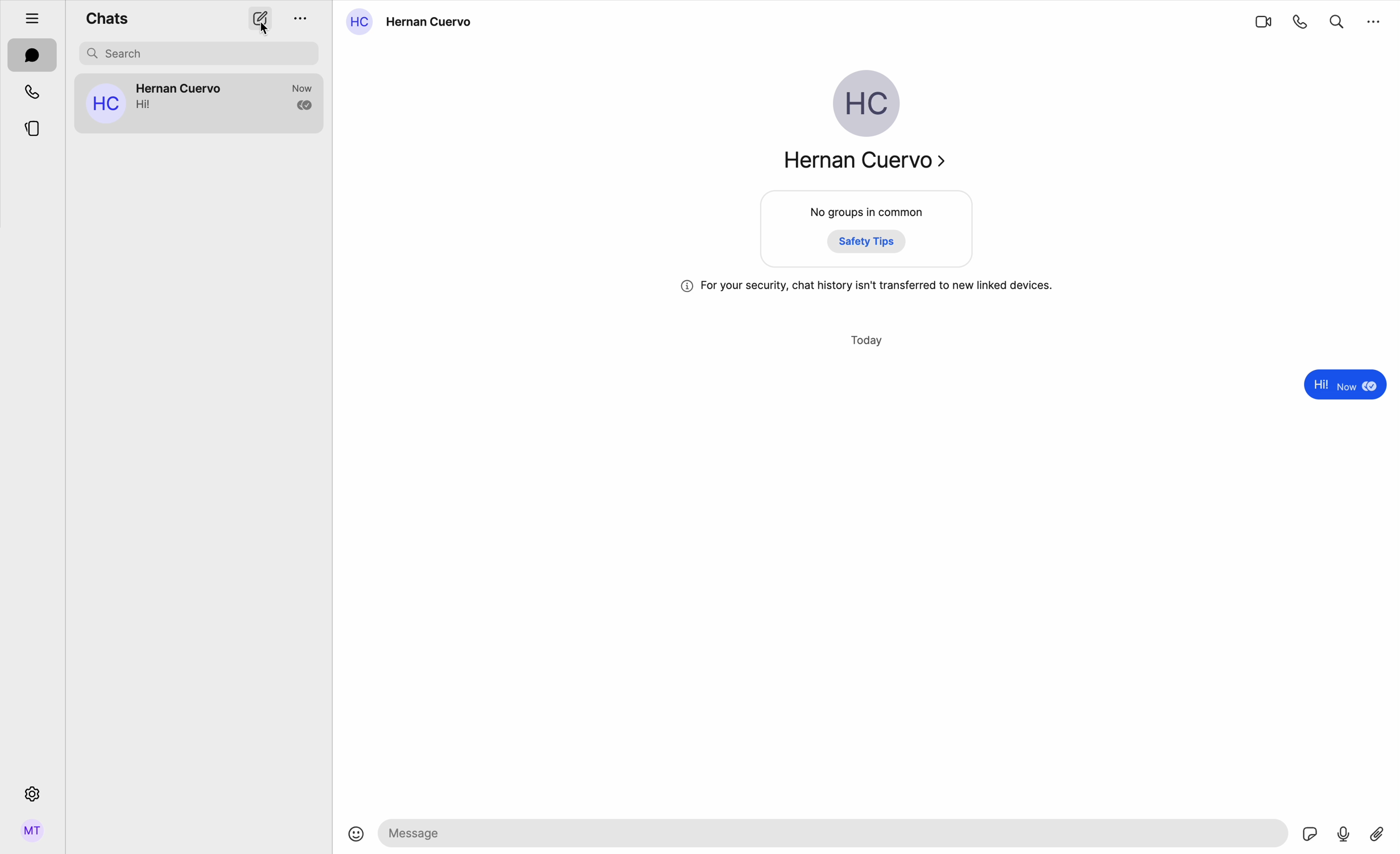 Image resolution: width=1400 pixels, height=854 pixels. I want to click on Hernan Cuervo profile, so click(862, 126).